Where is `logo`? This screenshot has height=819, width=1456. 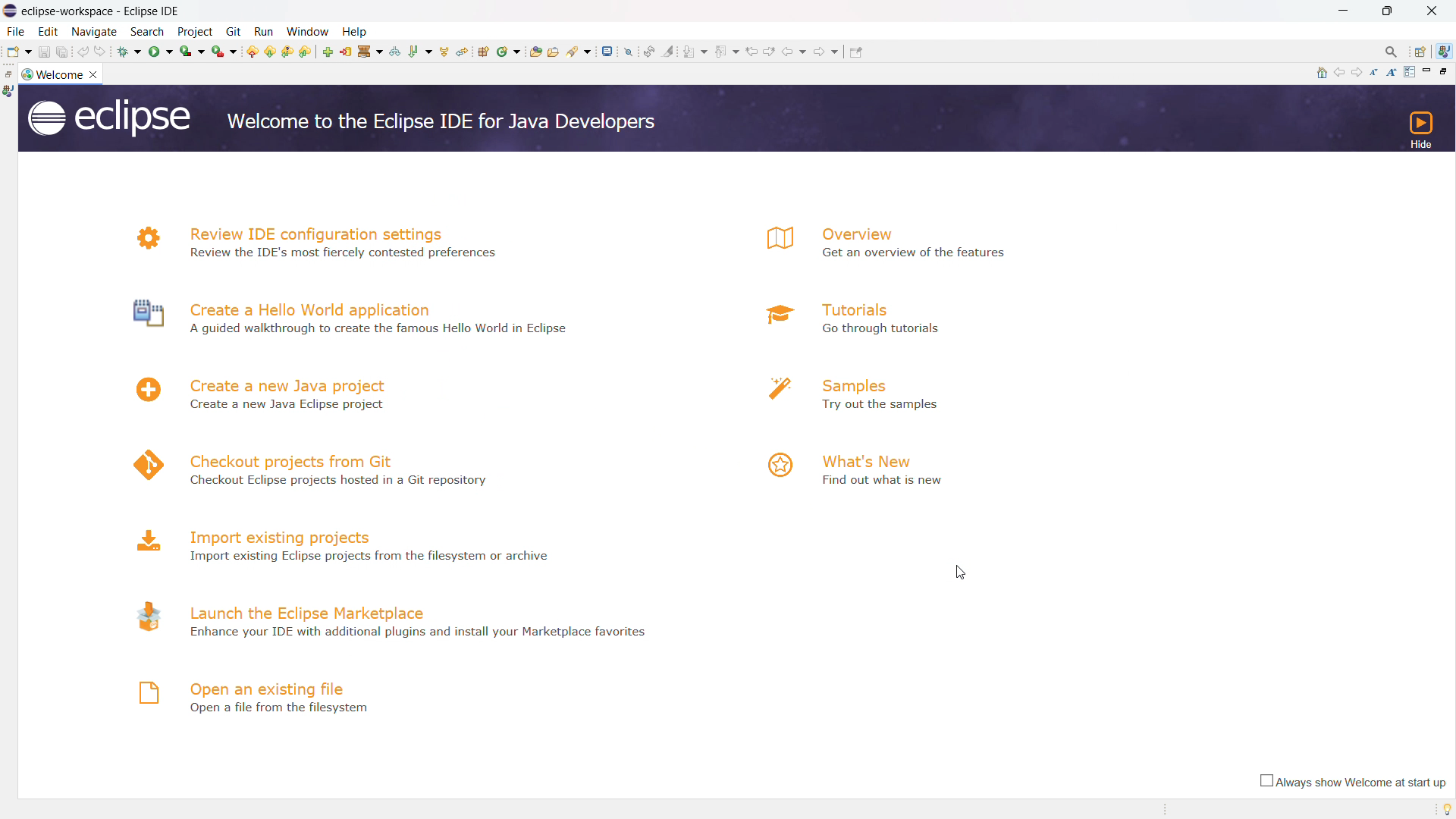
logo is located at coordinates (145, 540).